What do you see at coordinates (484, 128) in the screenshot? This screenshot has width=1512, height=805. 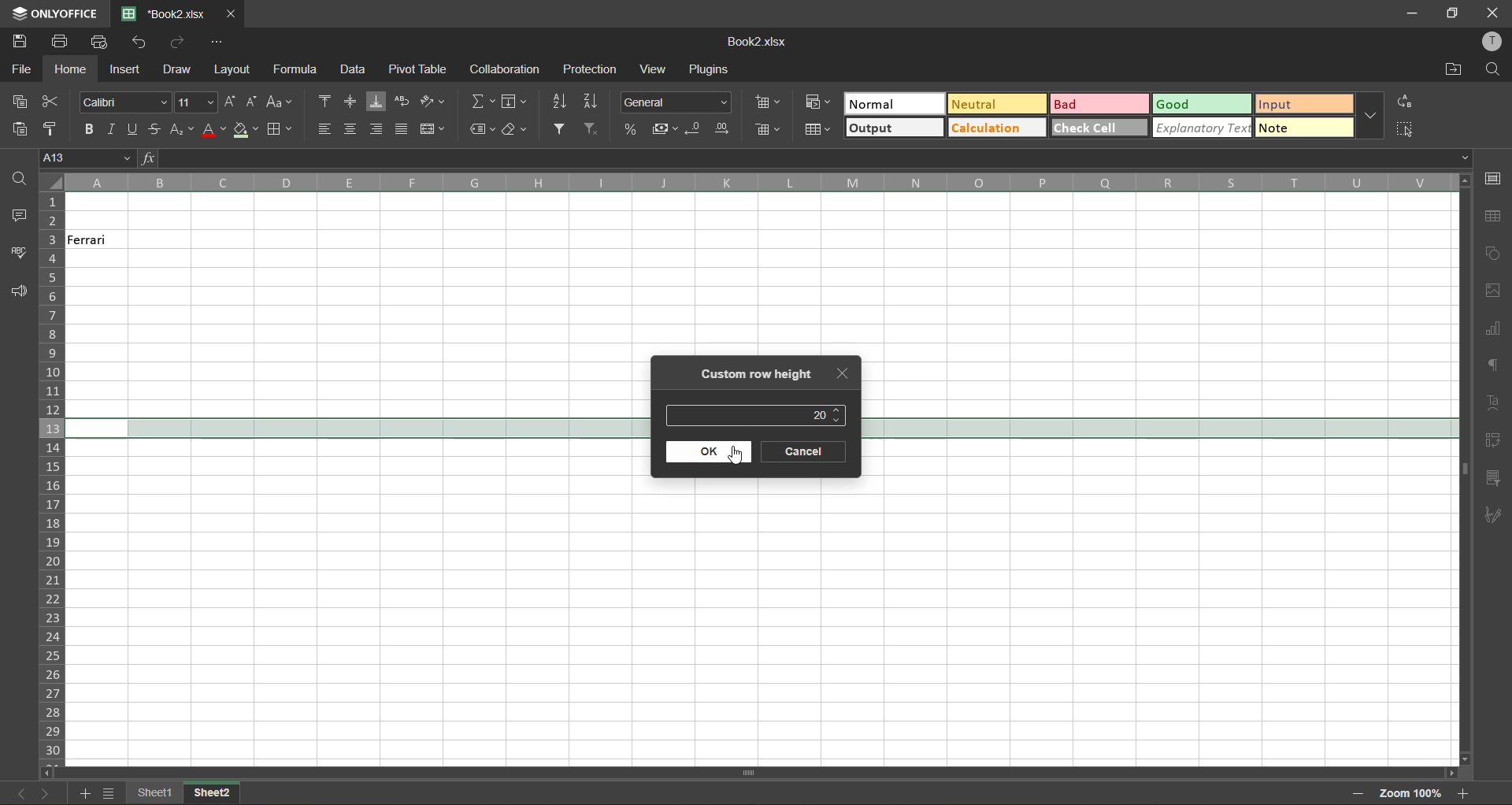 I see `named ranges` at bounding box center [484, 128].